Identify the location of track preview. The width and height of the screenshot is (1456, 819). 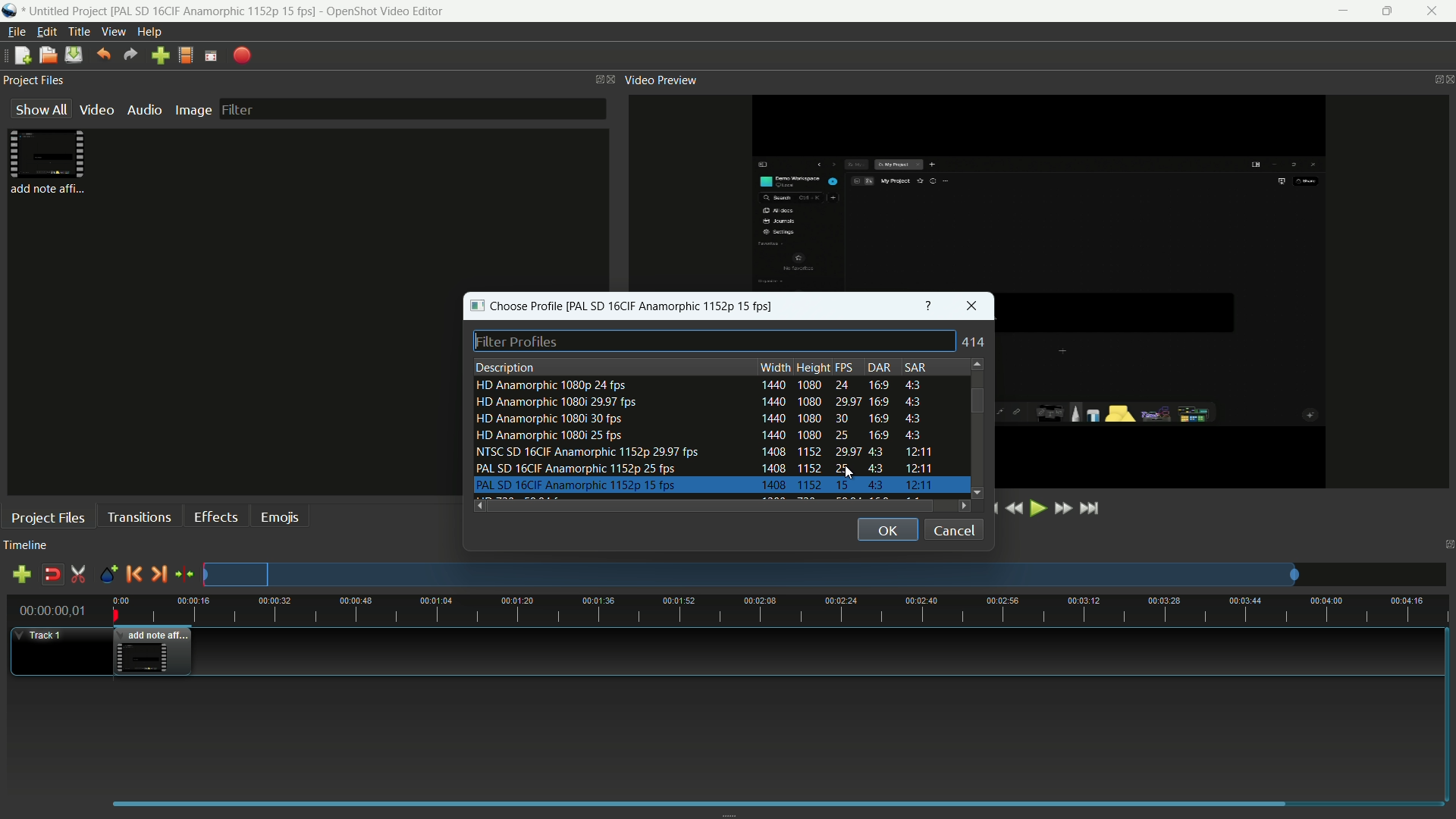
(753, 575).